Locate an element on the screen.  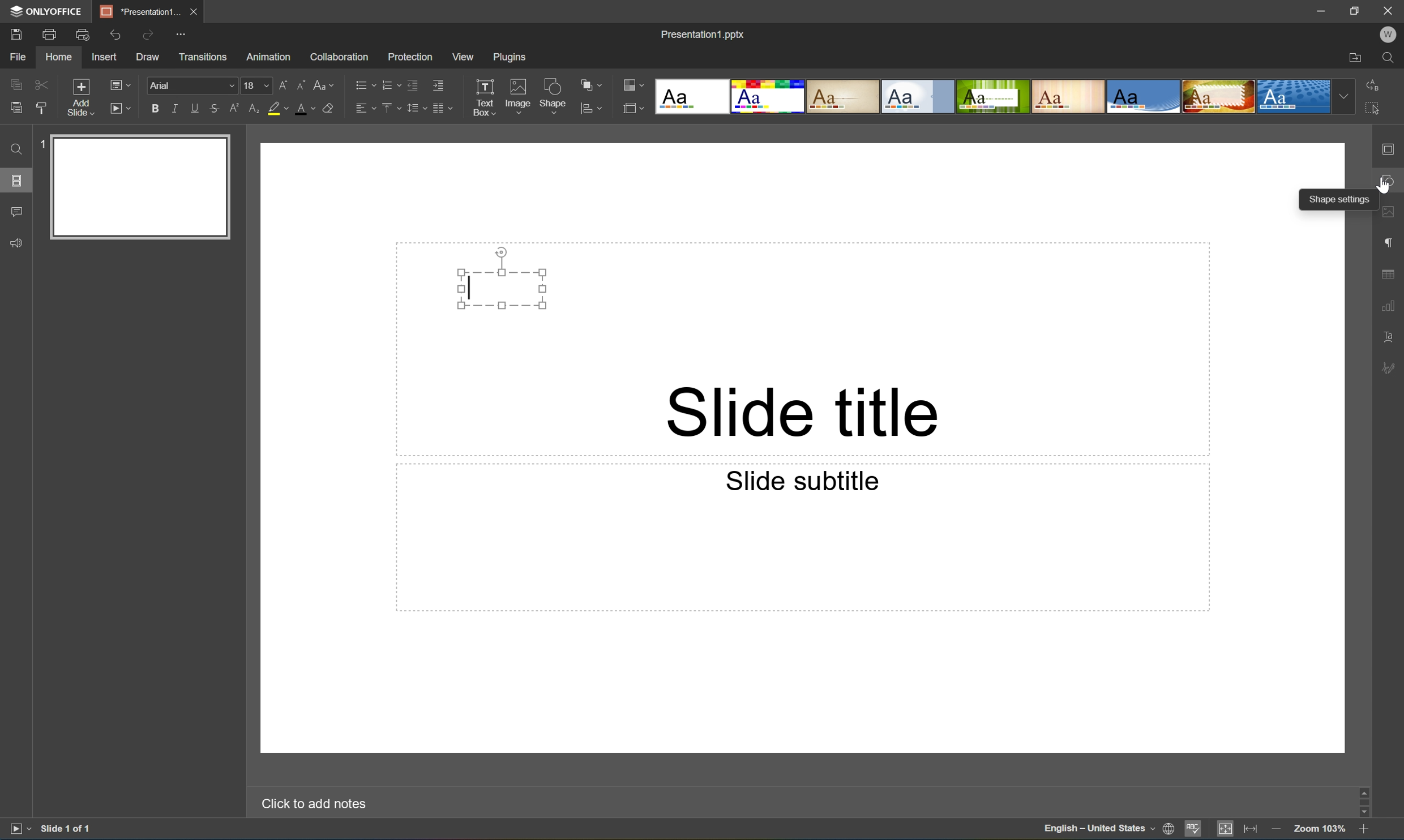
Open file location is located at coordinates (1355, 59).